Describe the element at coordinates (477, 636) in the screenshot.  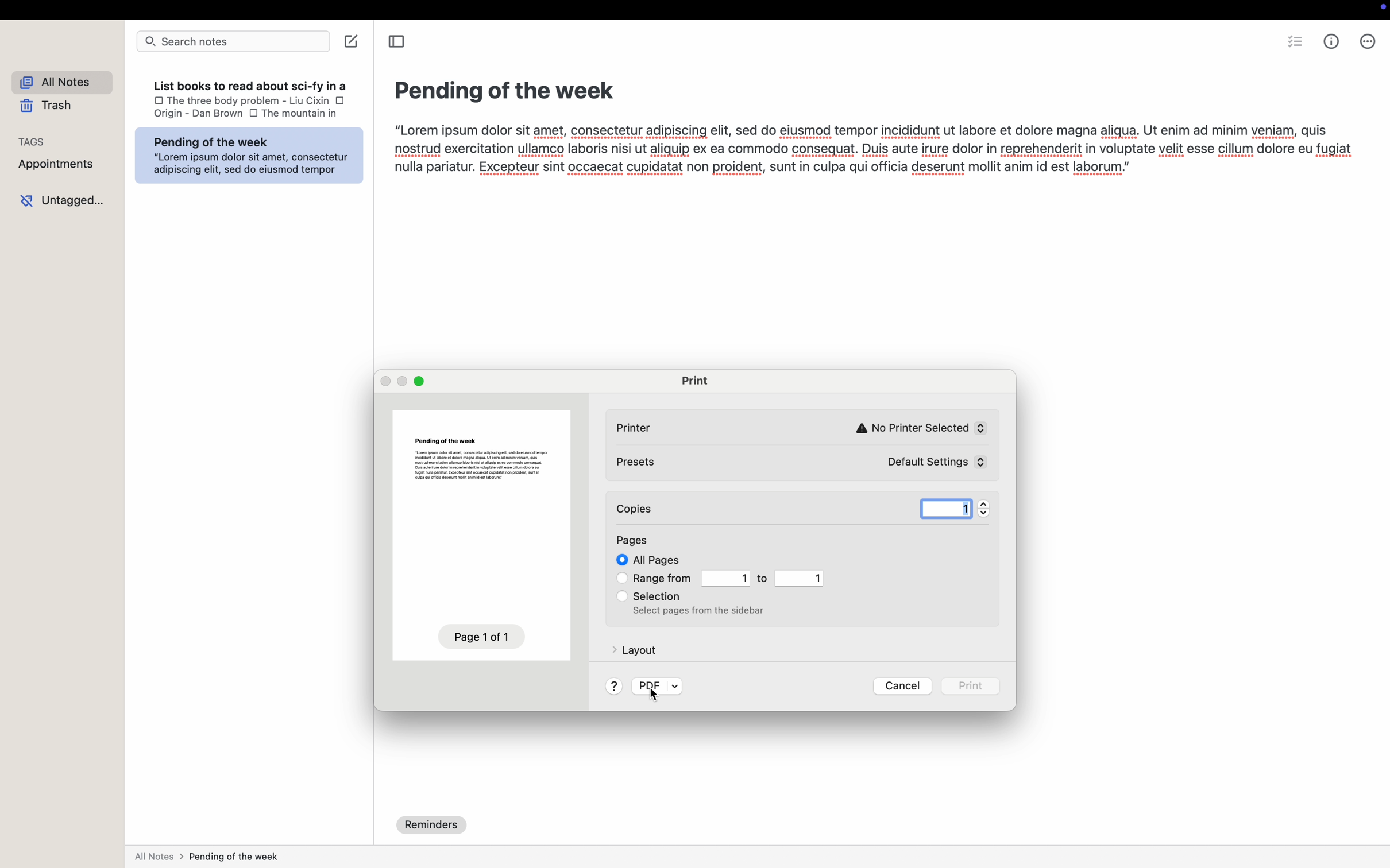
I see `Page 1 of 1` at that location.